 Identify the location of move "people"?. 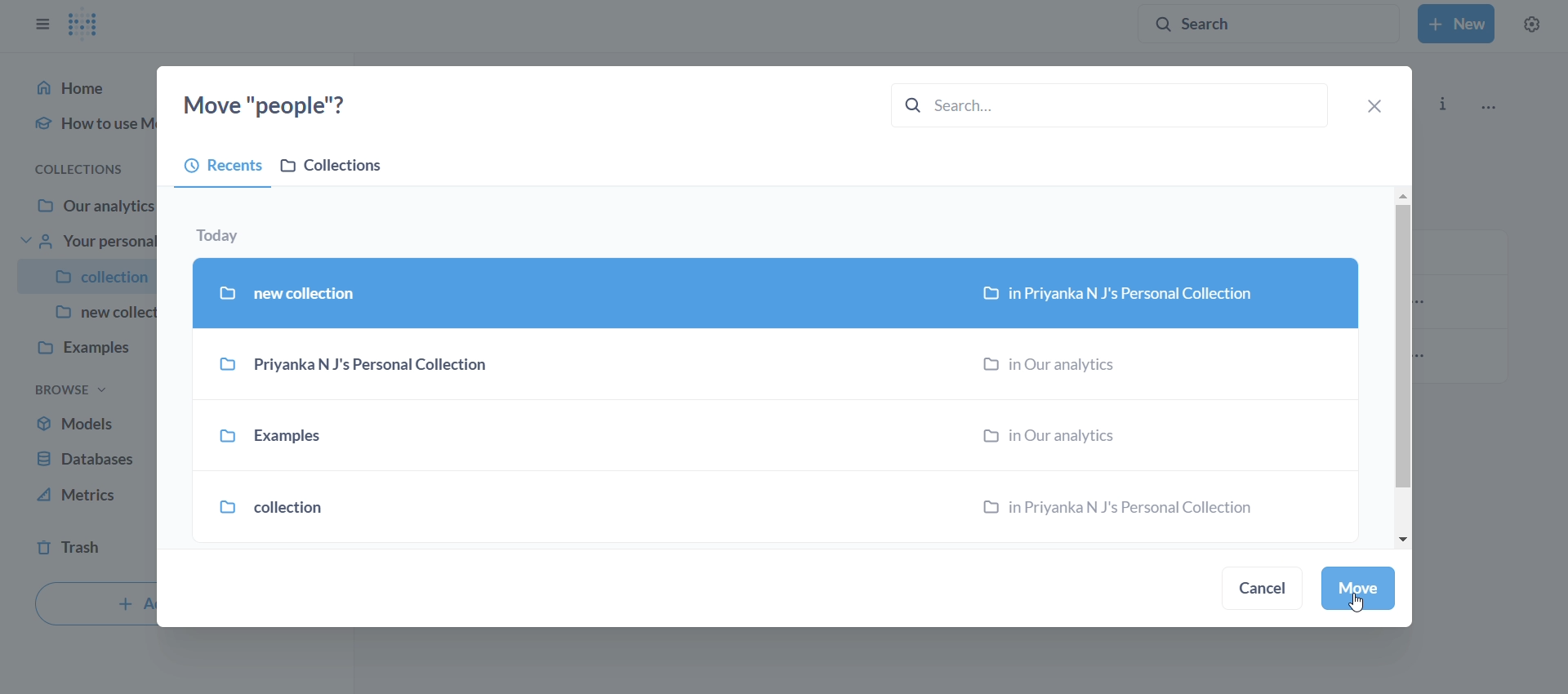
(268, 107).